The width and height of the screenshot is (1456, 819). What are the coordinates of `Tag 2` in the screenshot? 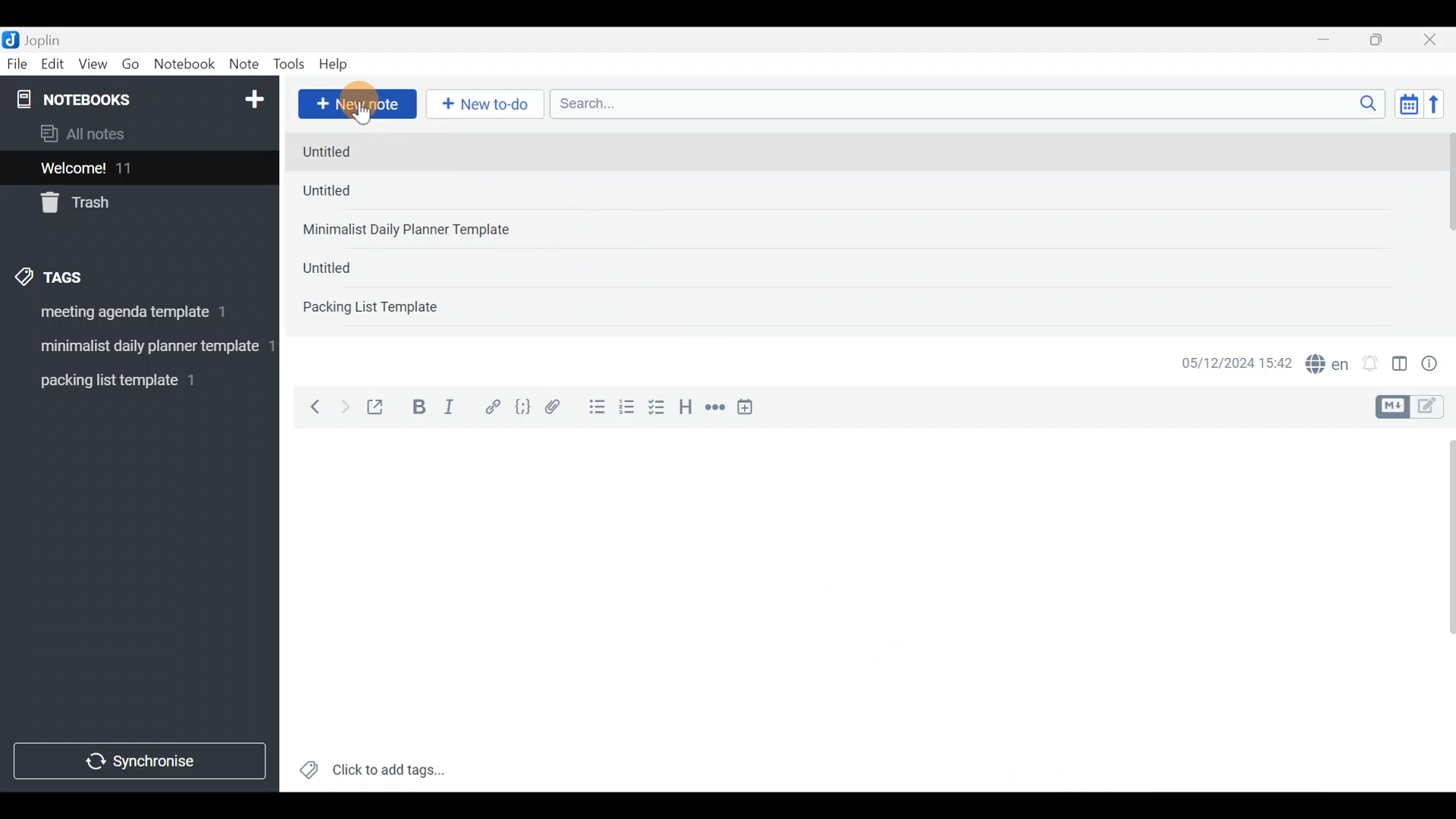 It's located at (133, 348).